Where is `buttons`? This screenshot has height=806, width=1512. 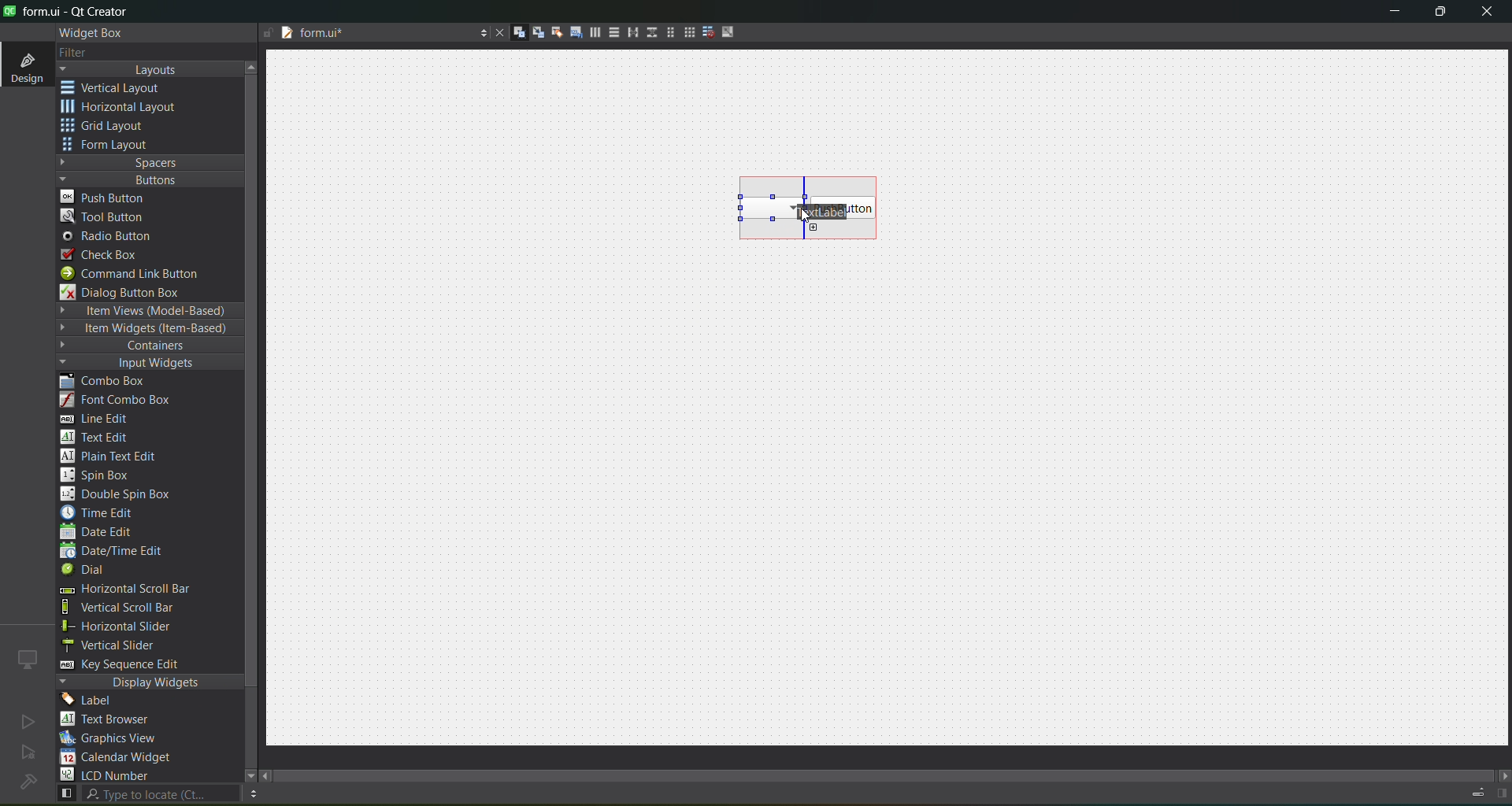 buttons is located at coordinates (146, 179).